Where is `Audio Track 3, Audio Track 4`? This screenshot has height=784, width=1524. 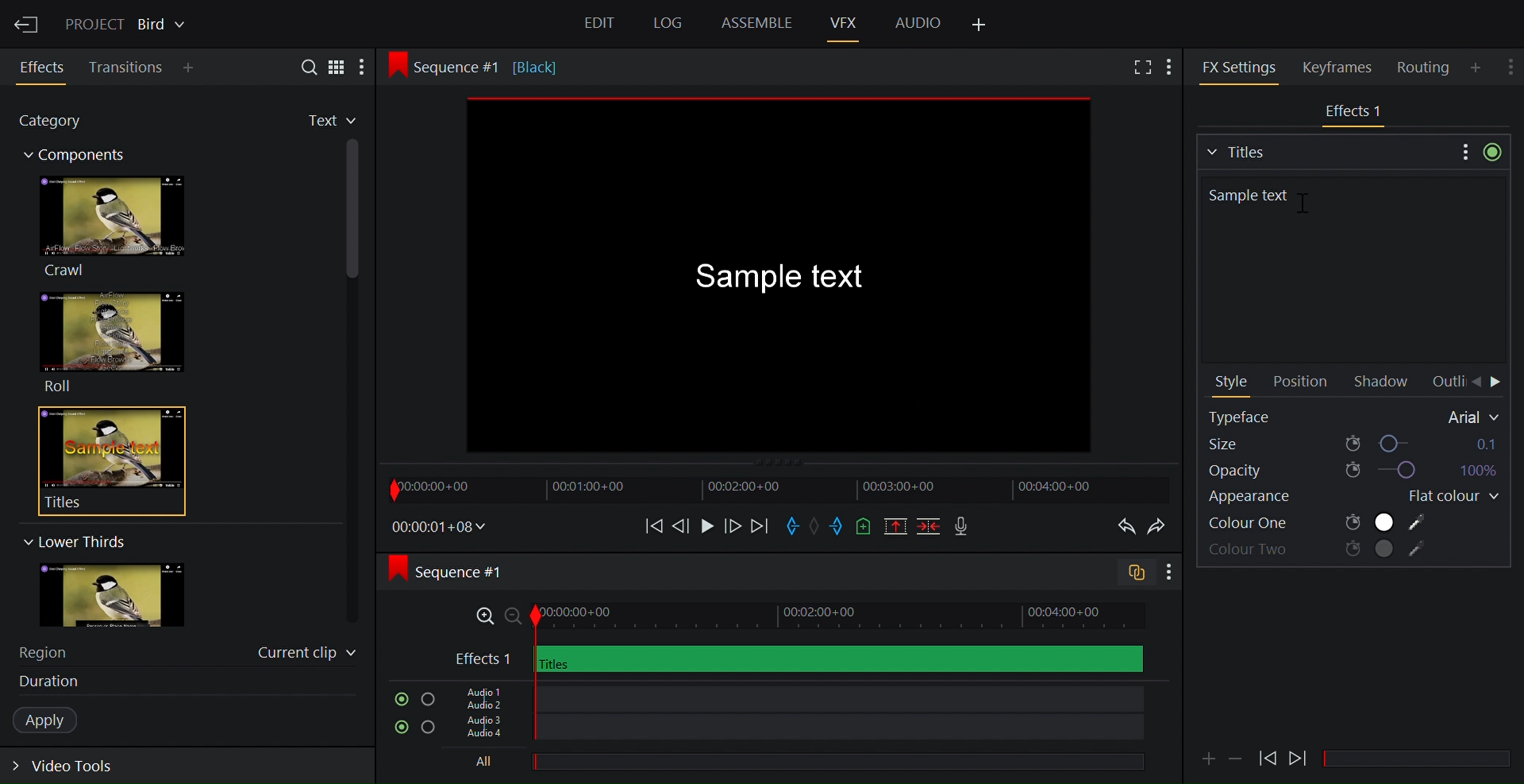 Audio Track 3, Audio Track 4 is located at coordinates (796, 731).